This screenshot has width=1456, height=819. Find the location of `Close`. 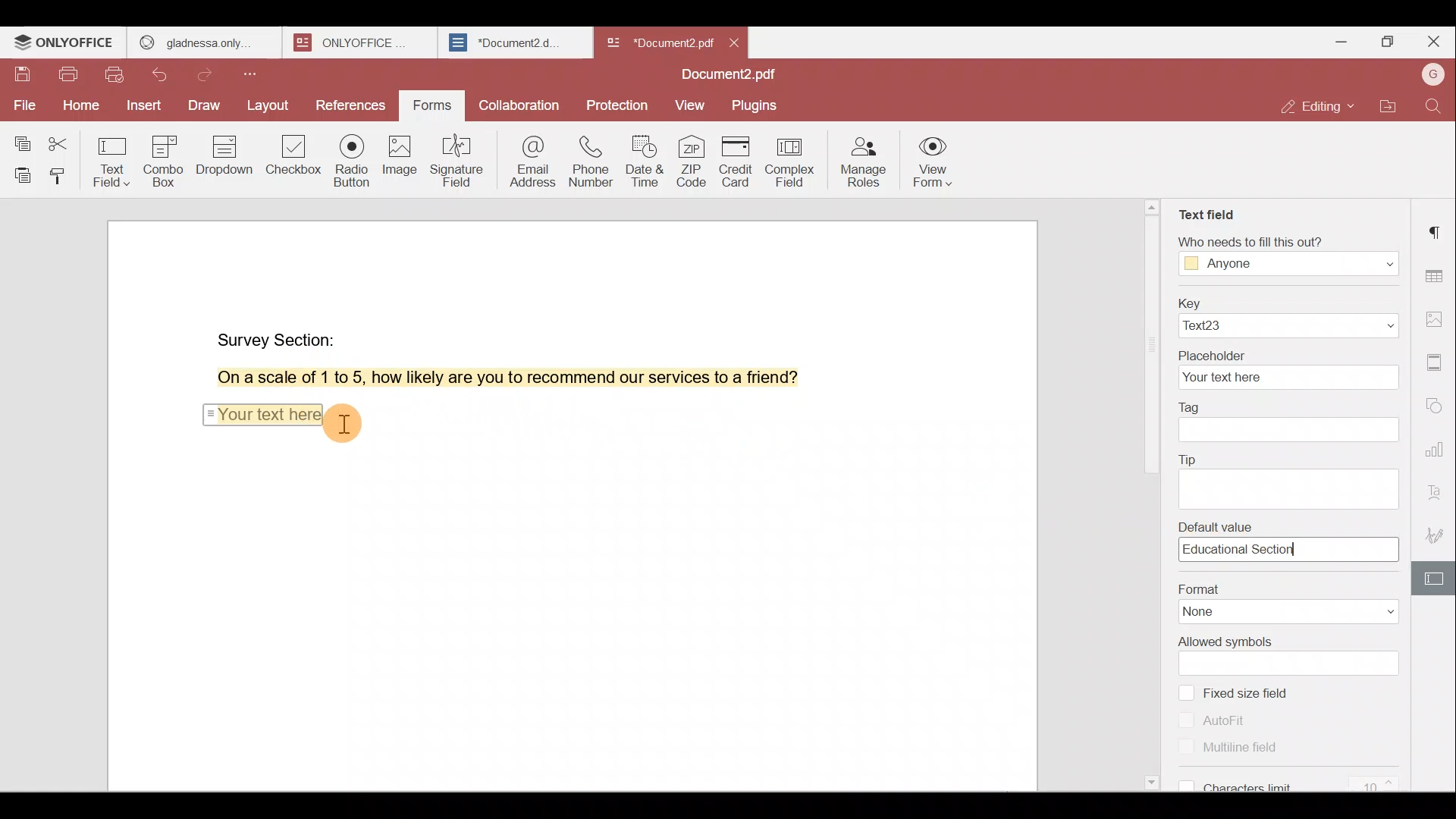

Close is located at coordinates (1433, 42).